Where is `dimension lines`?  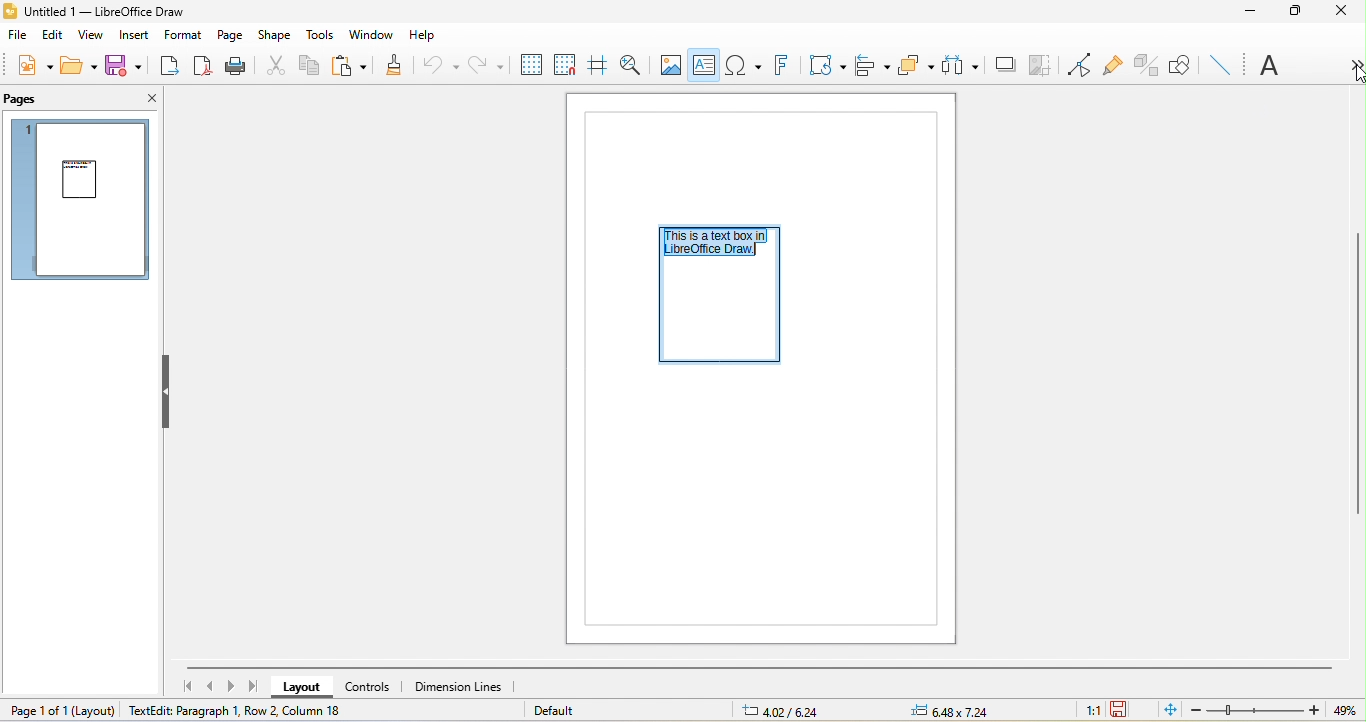
dimension lines is located at coordinates (463, 687).